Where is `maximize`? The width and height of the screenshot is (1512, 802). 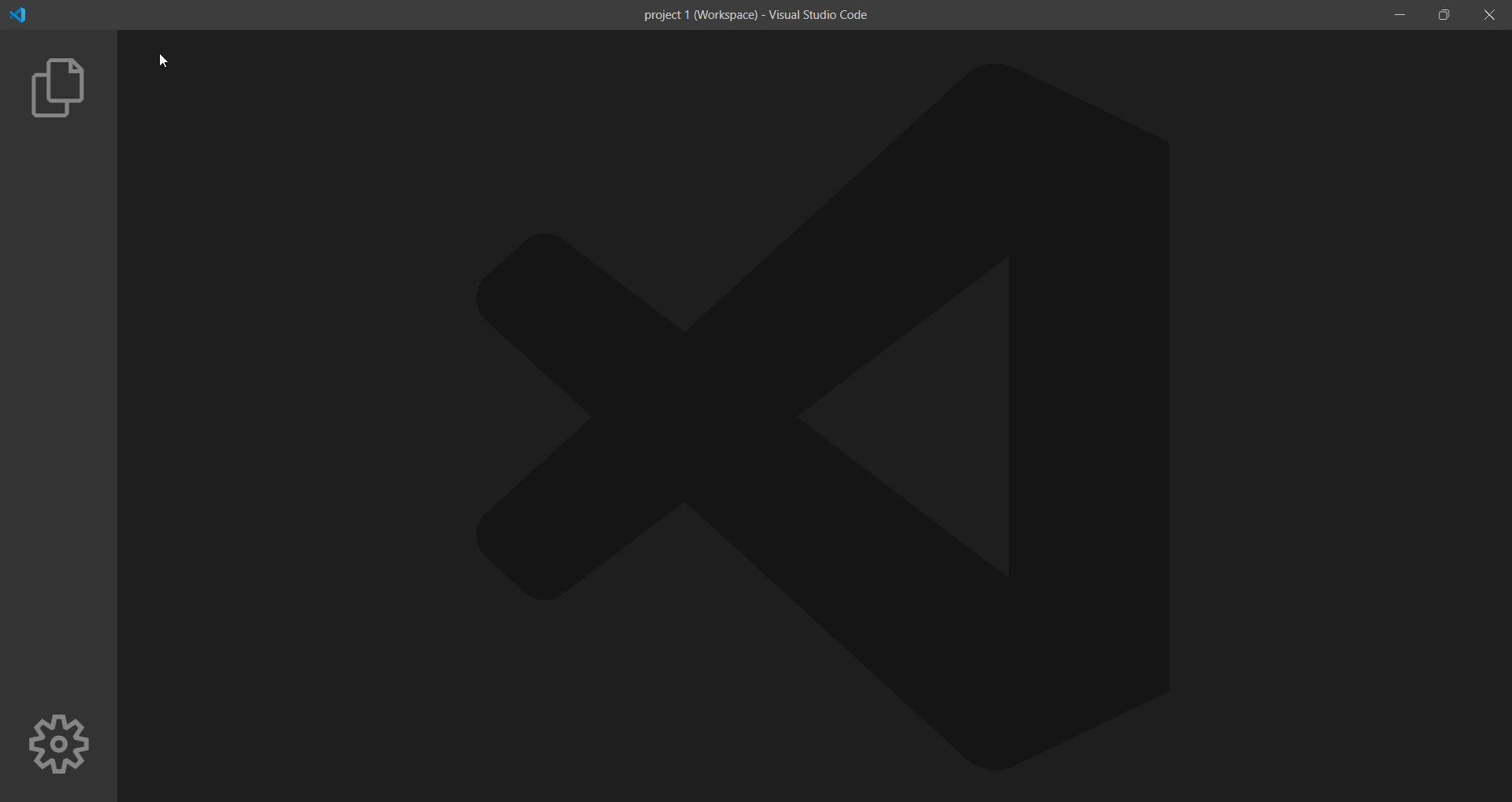
maximize is located at coordinates (1446, 14).